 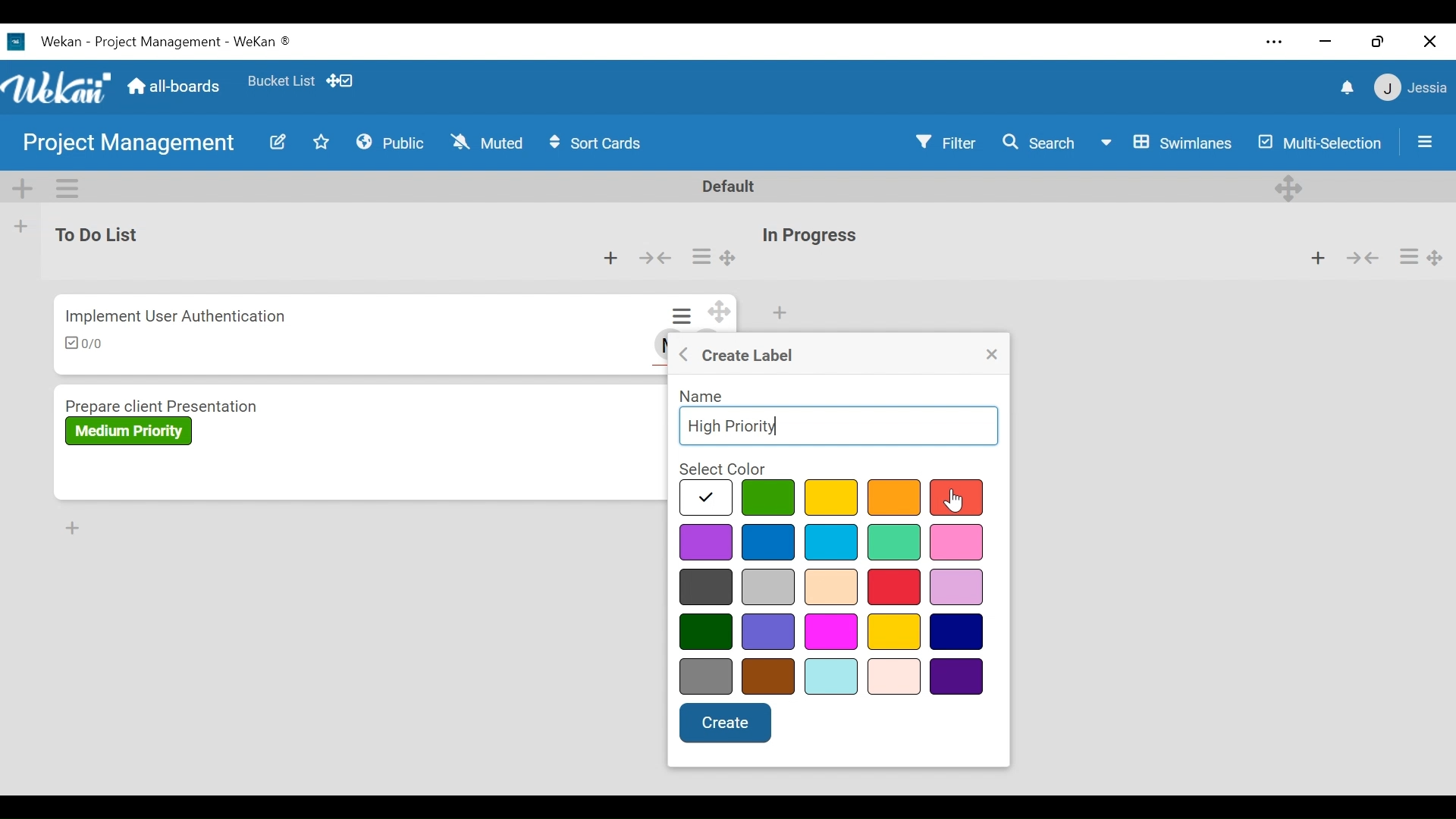 I want to click on settings and more, so click(x=1277, y=43).